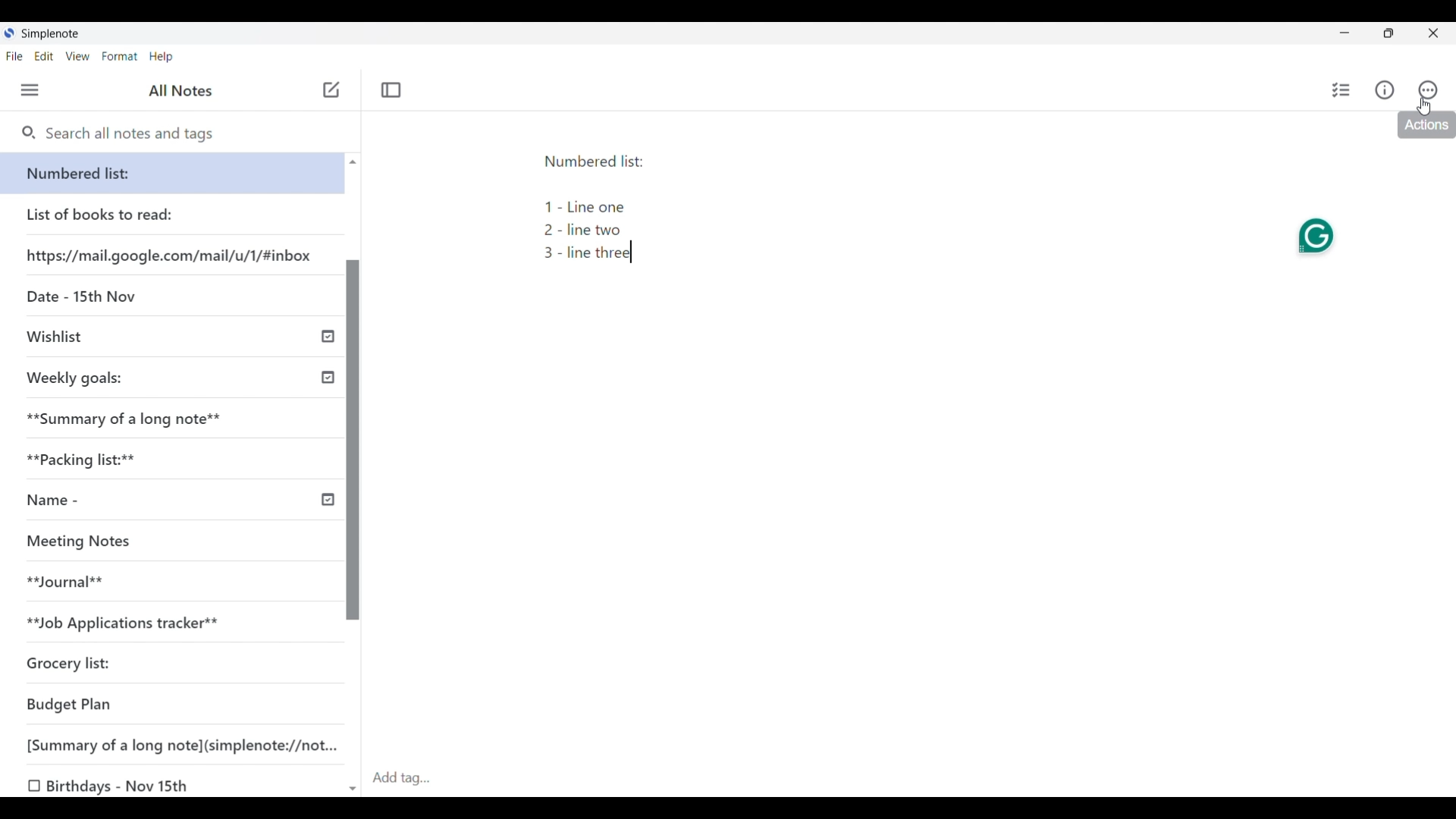 Image resolution: width=1456 pixels, height=819 pixels. What do you see at coordinates (328, 502) in the screenshot?
I see `timeline` at bounding box center [328, 502].